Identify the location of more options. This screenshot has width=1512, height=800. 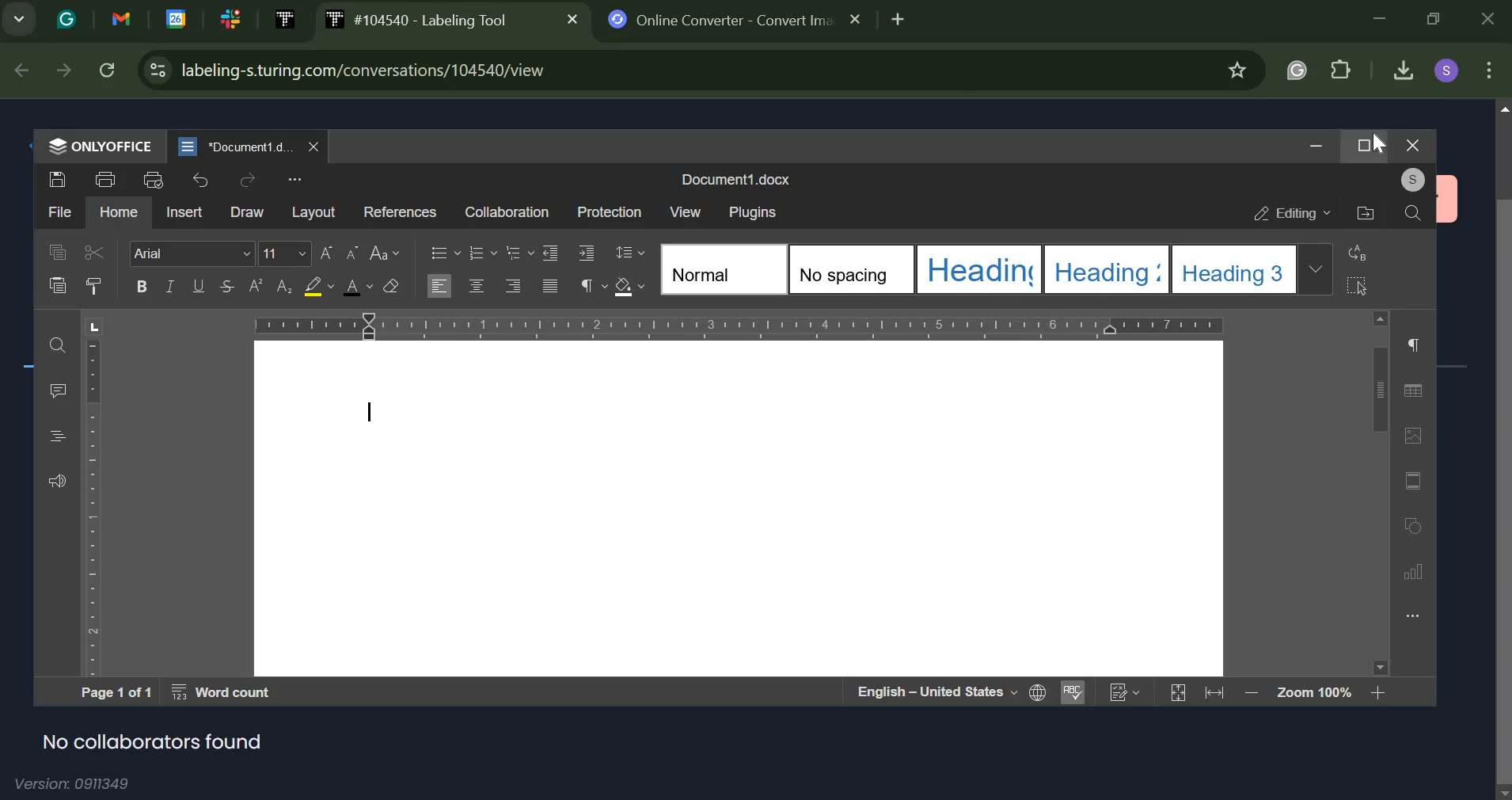
(1414, 616).